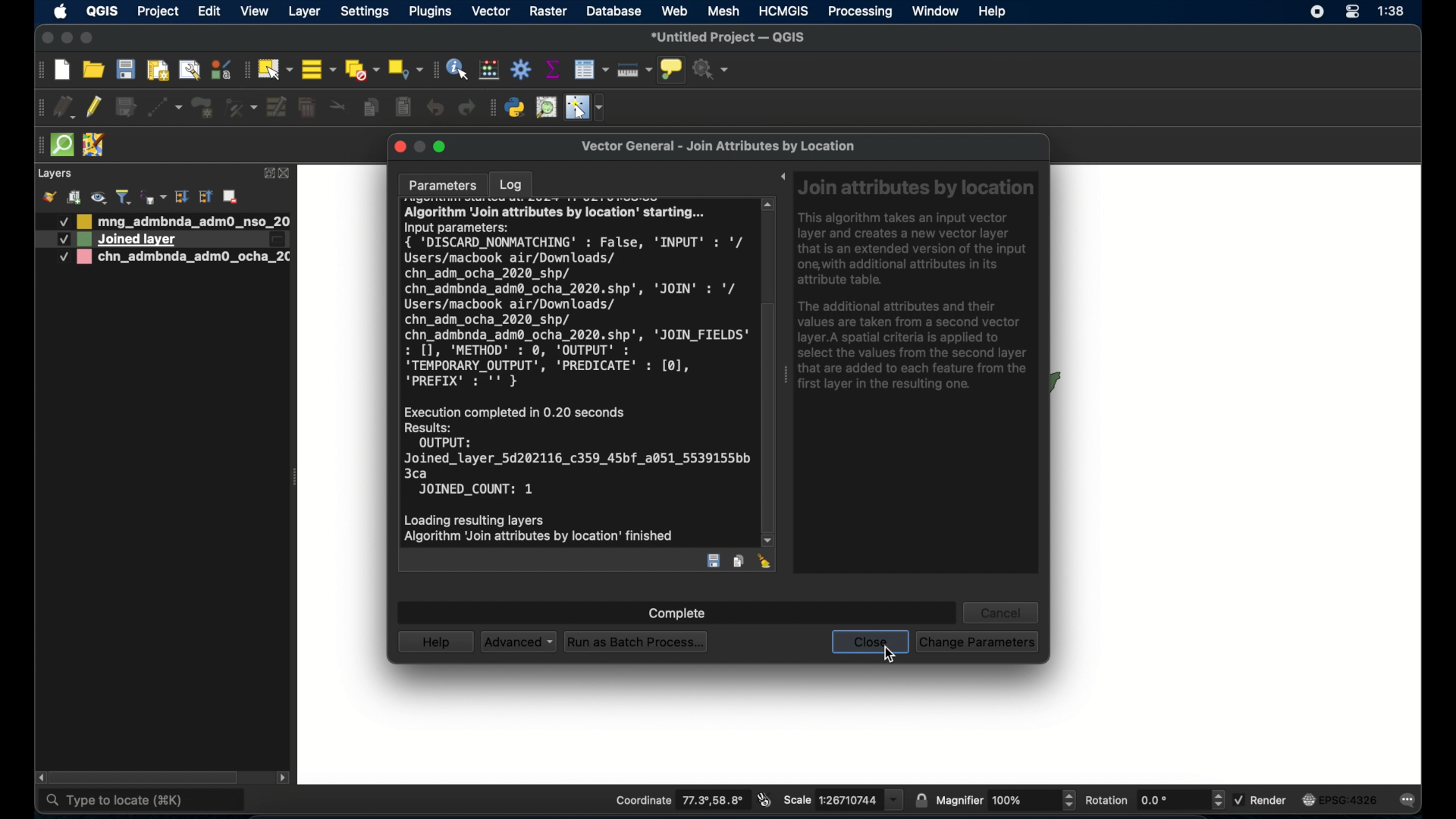 This screenshot has width=1456, height=819. Describe the element at coordinates (723, 11) in the screenshot. I see `mesh` at that location.